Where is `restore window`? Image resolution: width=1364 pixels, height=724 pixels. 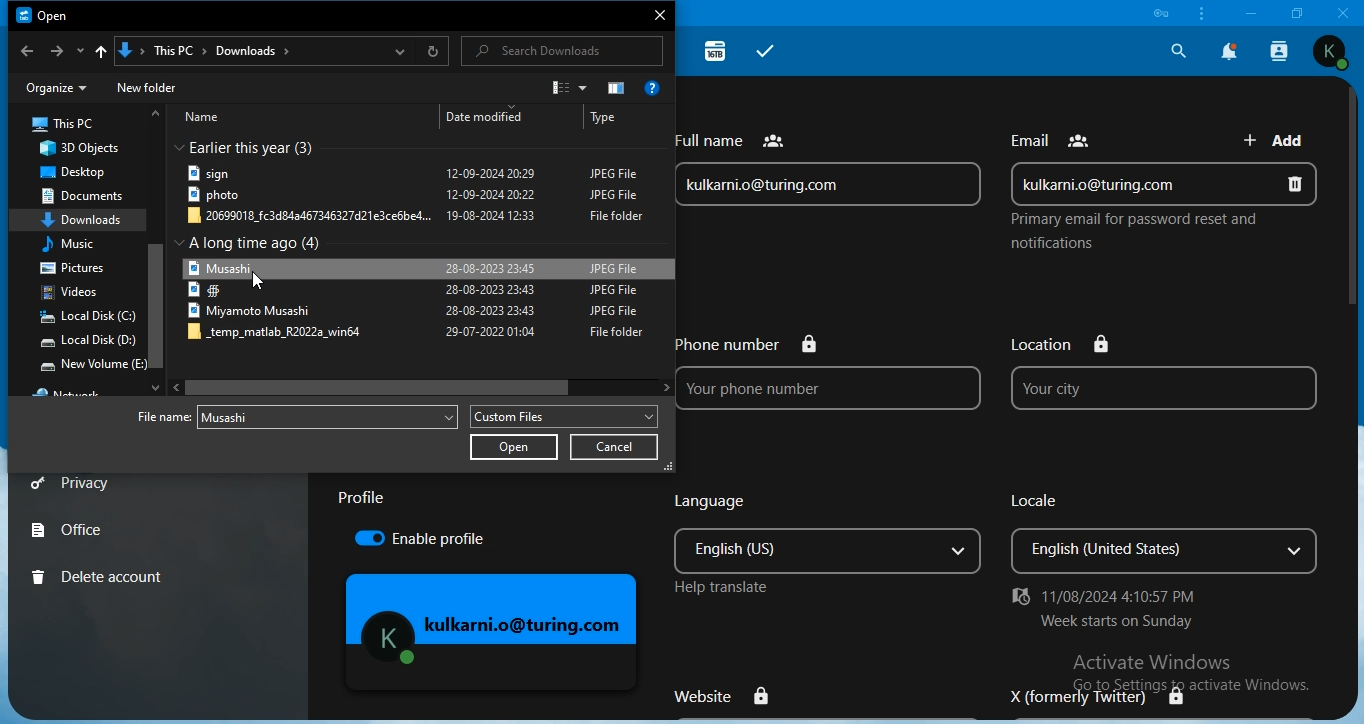
restore window is located at coordinates (1292, 12).